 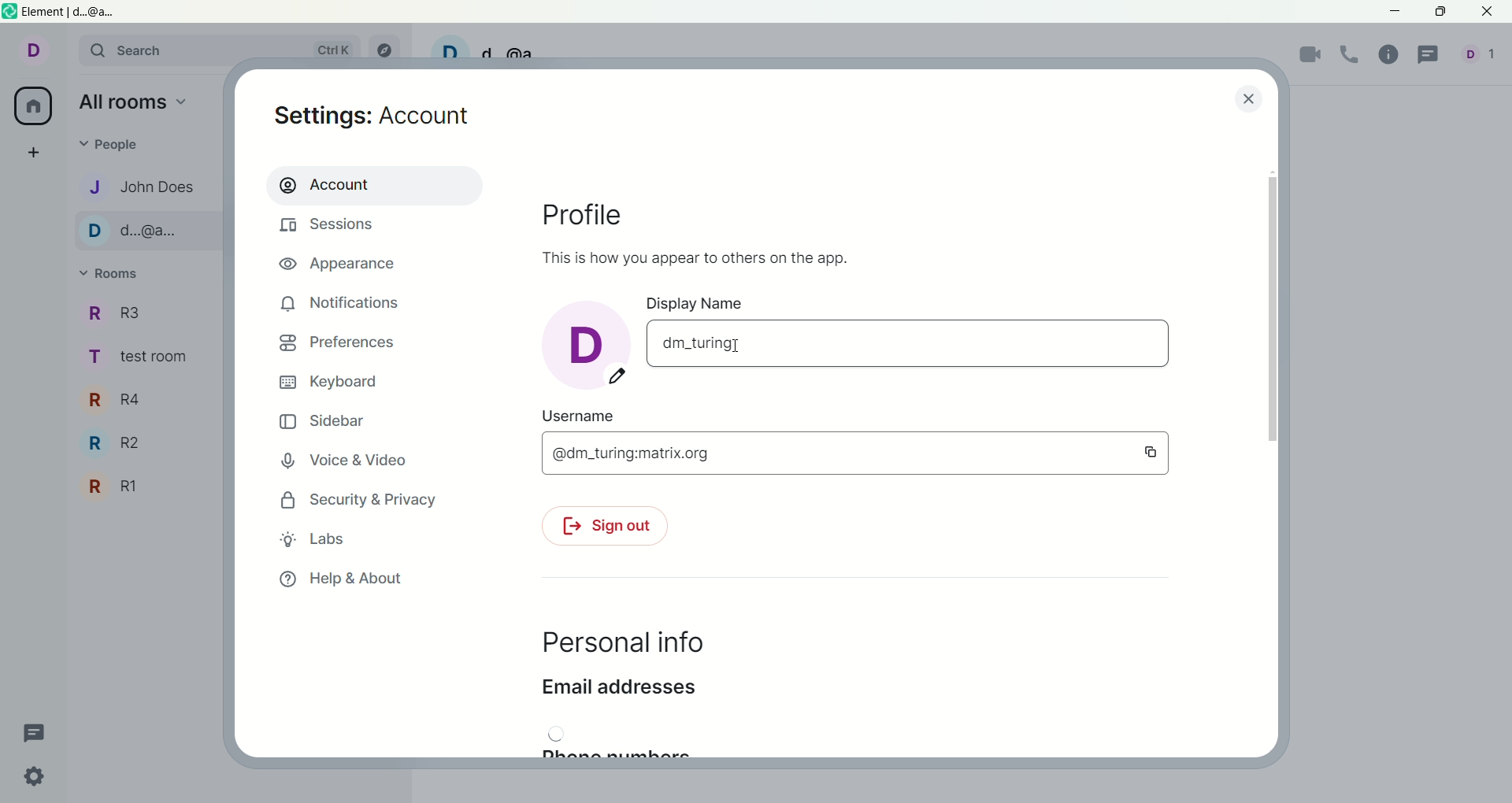 I want to click on close, so click(x=1247, y=98).